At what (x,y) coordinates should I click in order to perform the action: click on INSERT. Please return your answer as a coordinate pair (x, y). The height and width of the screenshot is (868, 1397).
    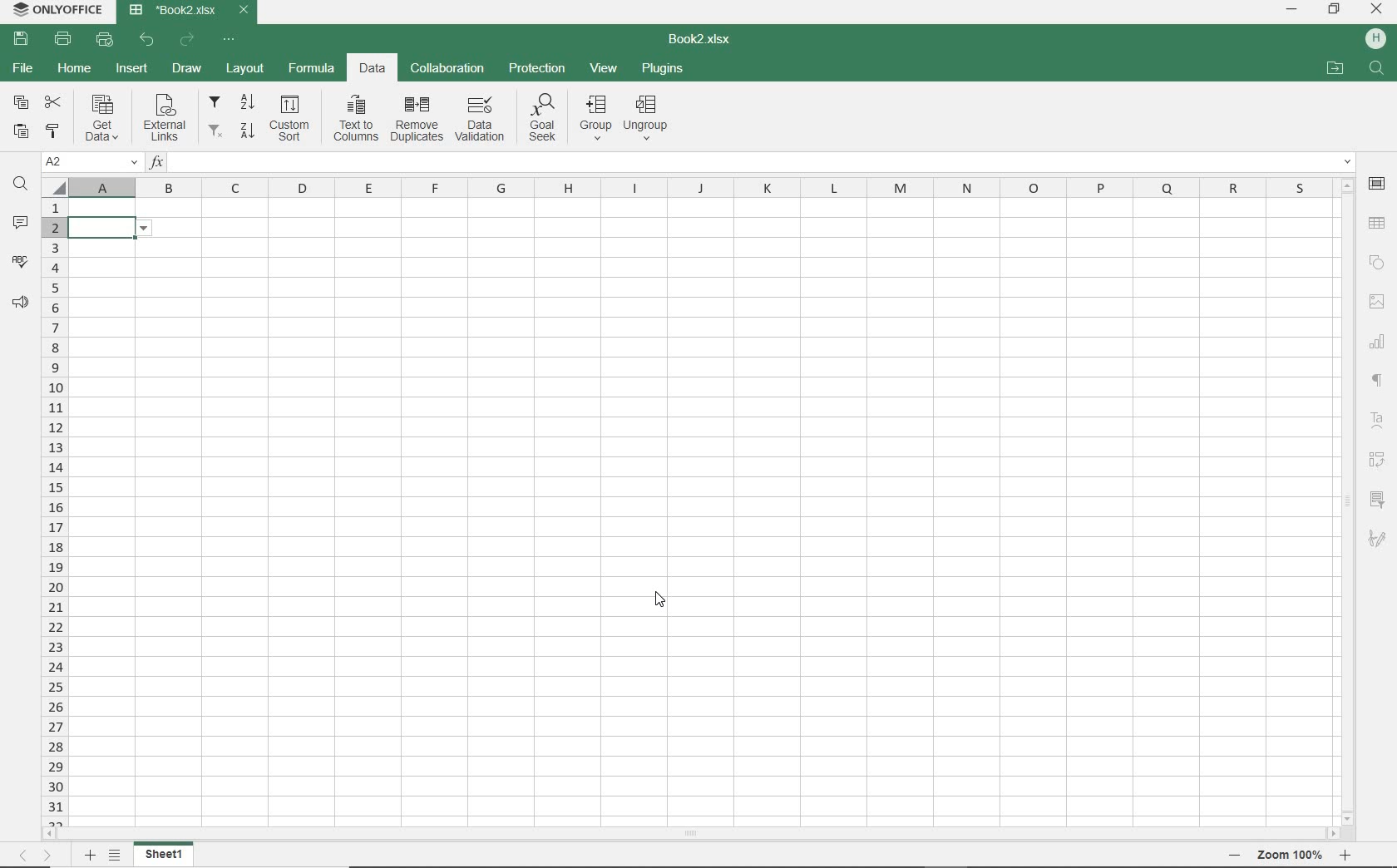
    Looking at the image, I should click on (133, 66).